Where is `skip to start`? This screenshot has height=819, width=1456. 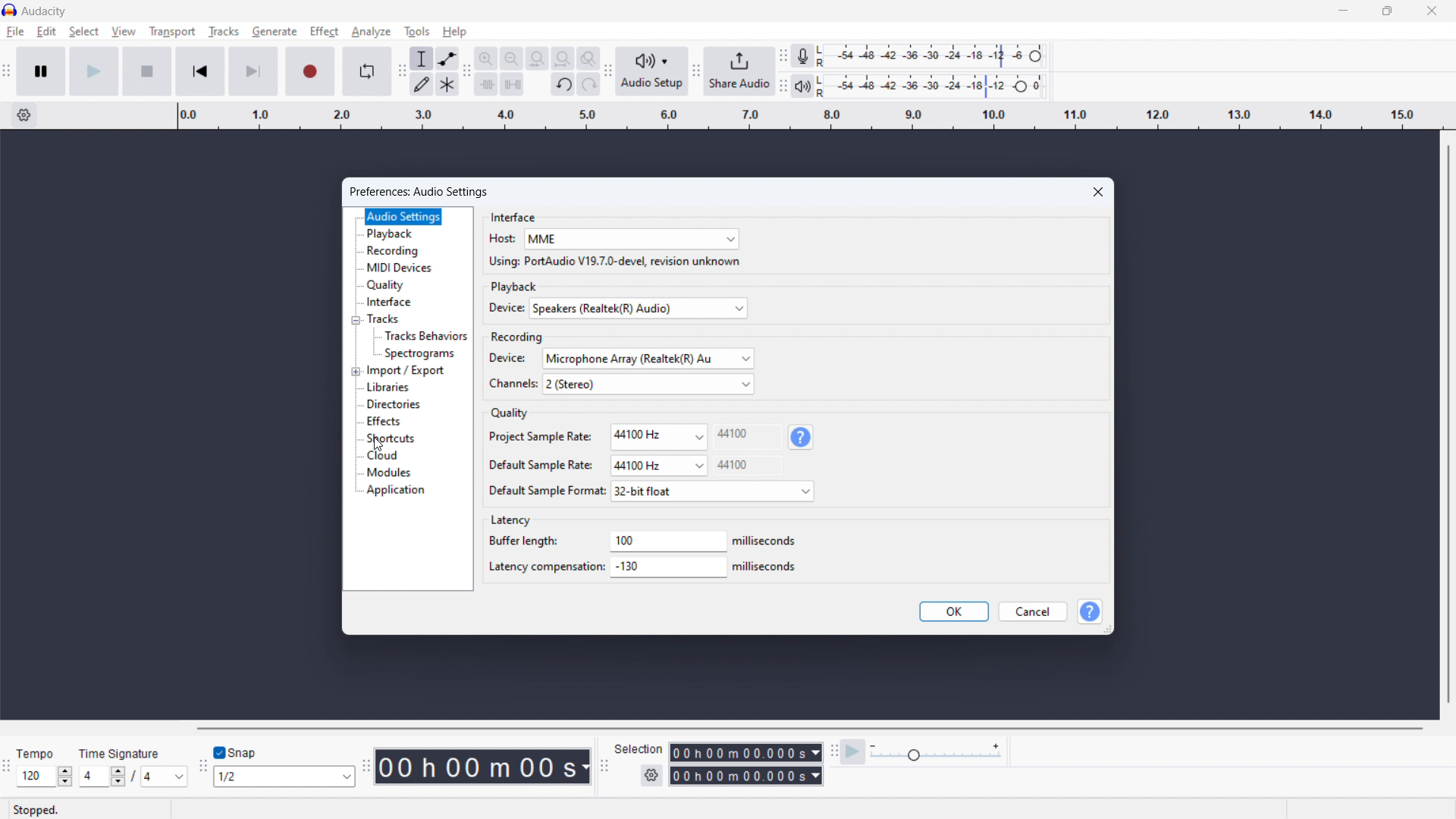 skip to start is located at coordinates (199, 71).